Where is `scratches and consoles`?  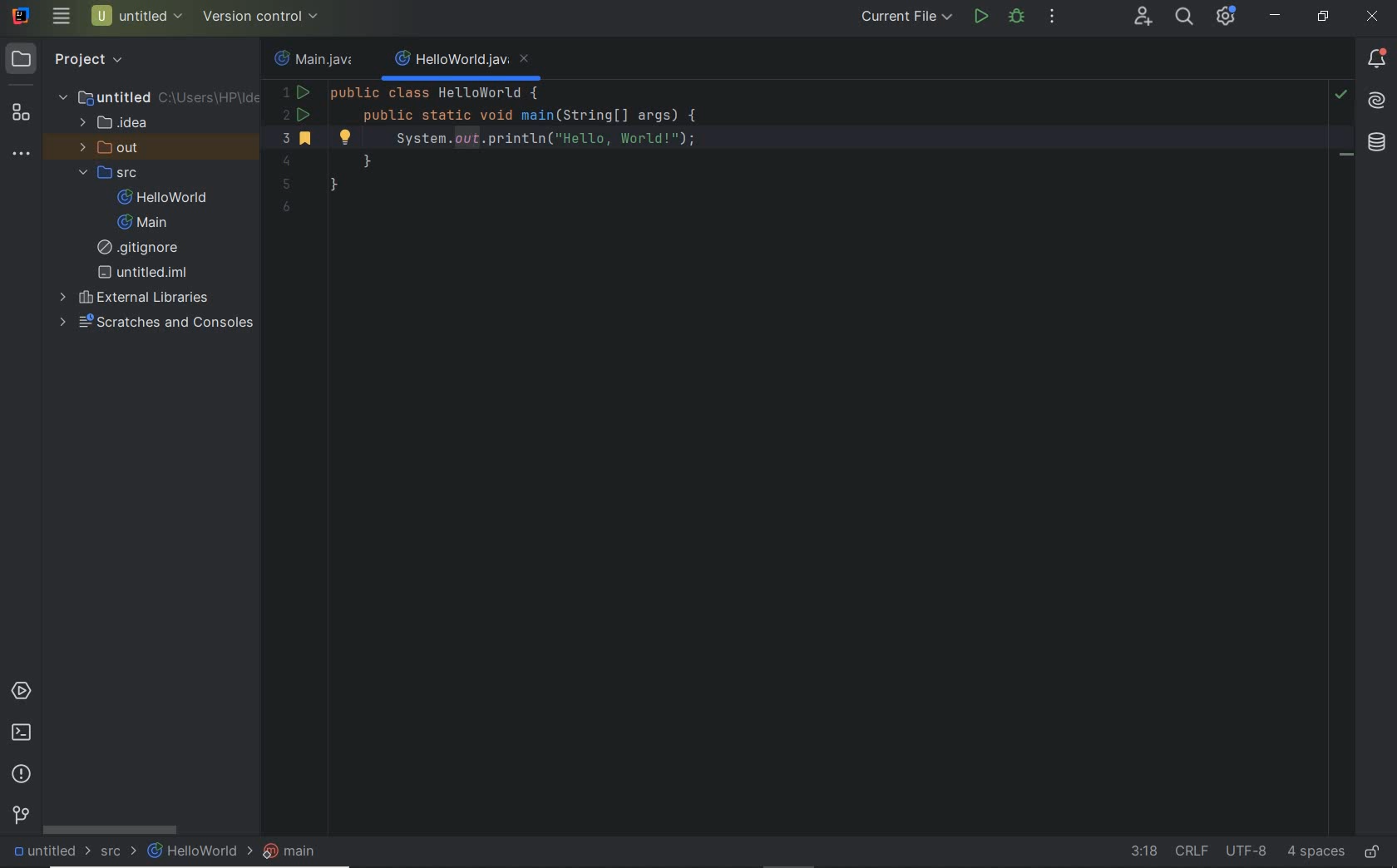 scratches and consoles is located at coordinates (151, 323).